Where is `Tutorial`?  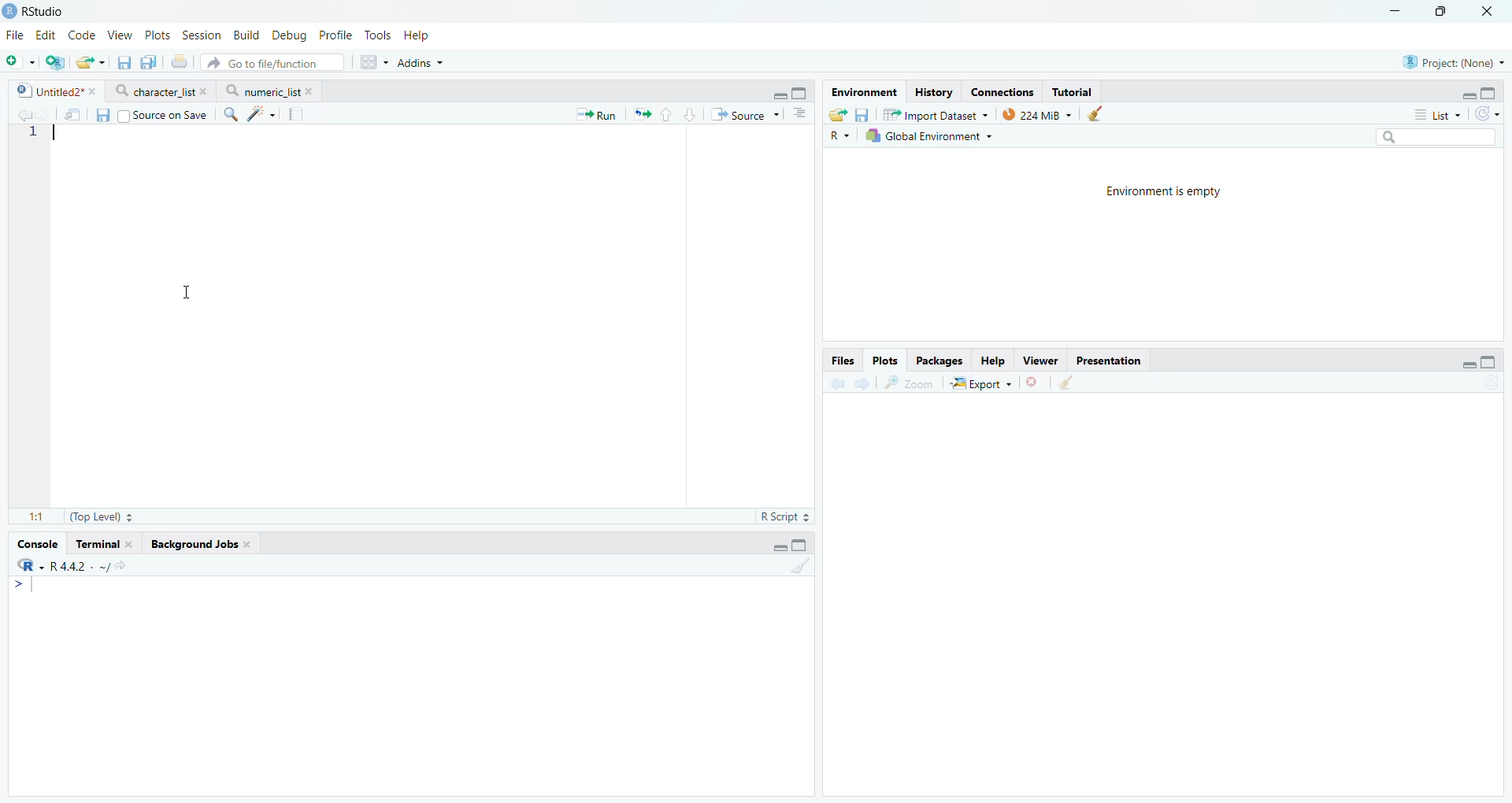 Tutorial is located at coordinates (1073, 92).